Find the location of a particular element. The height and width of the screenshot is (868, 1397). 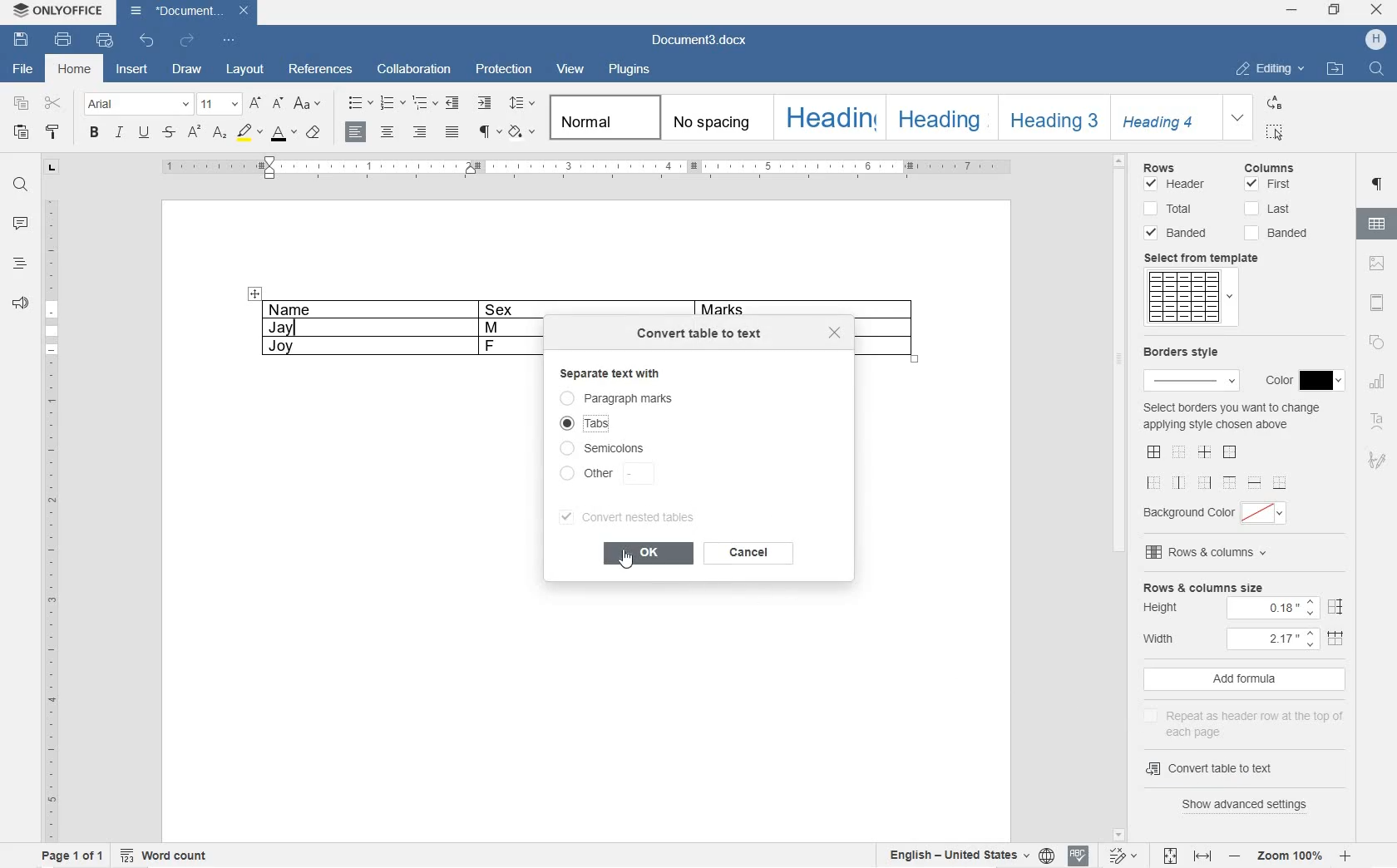

CHANGE CASE is located at coordinates (309, 103).